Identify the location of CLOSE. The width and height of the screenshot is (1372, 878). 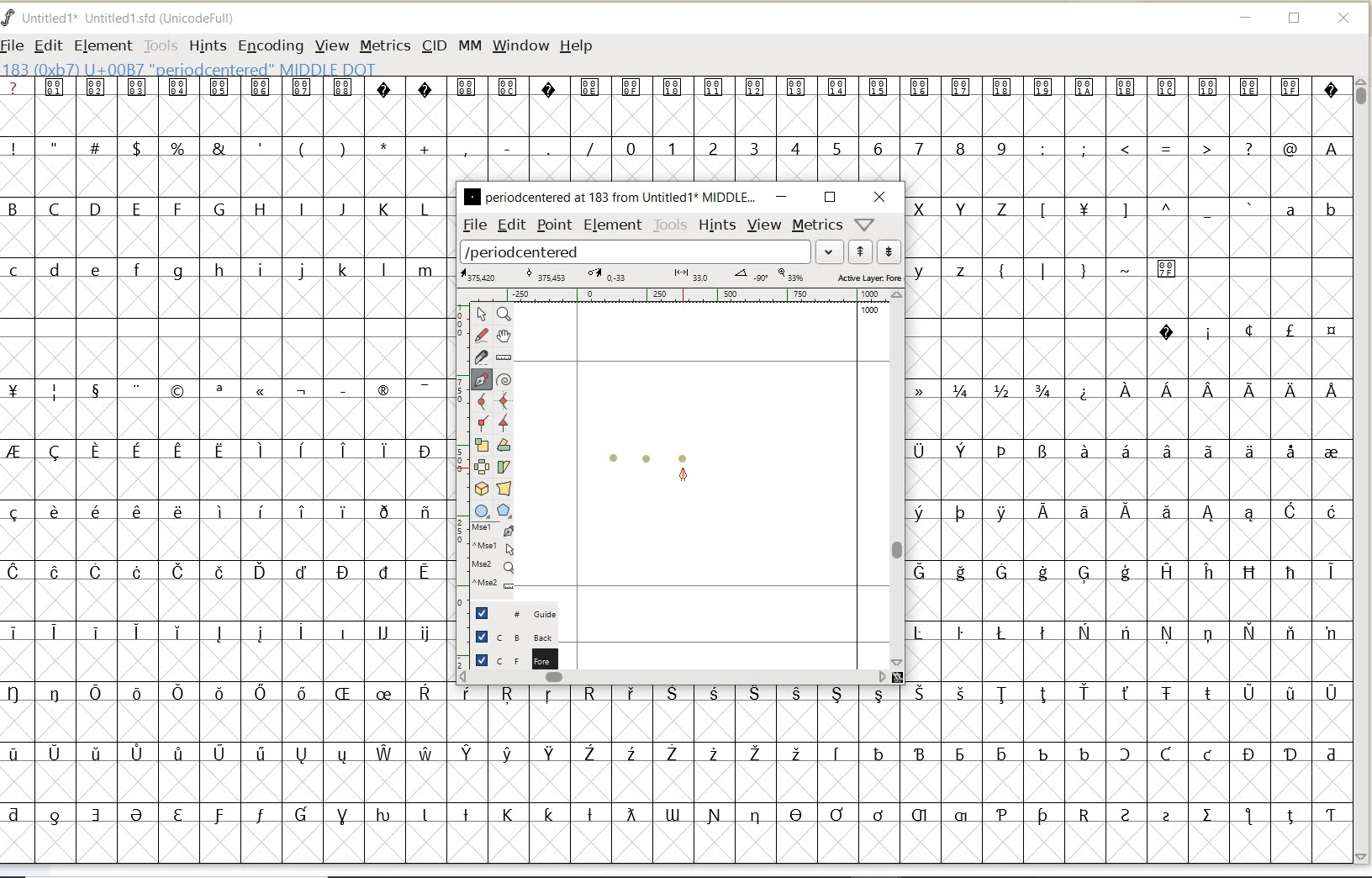
(1345, 19).